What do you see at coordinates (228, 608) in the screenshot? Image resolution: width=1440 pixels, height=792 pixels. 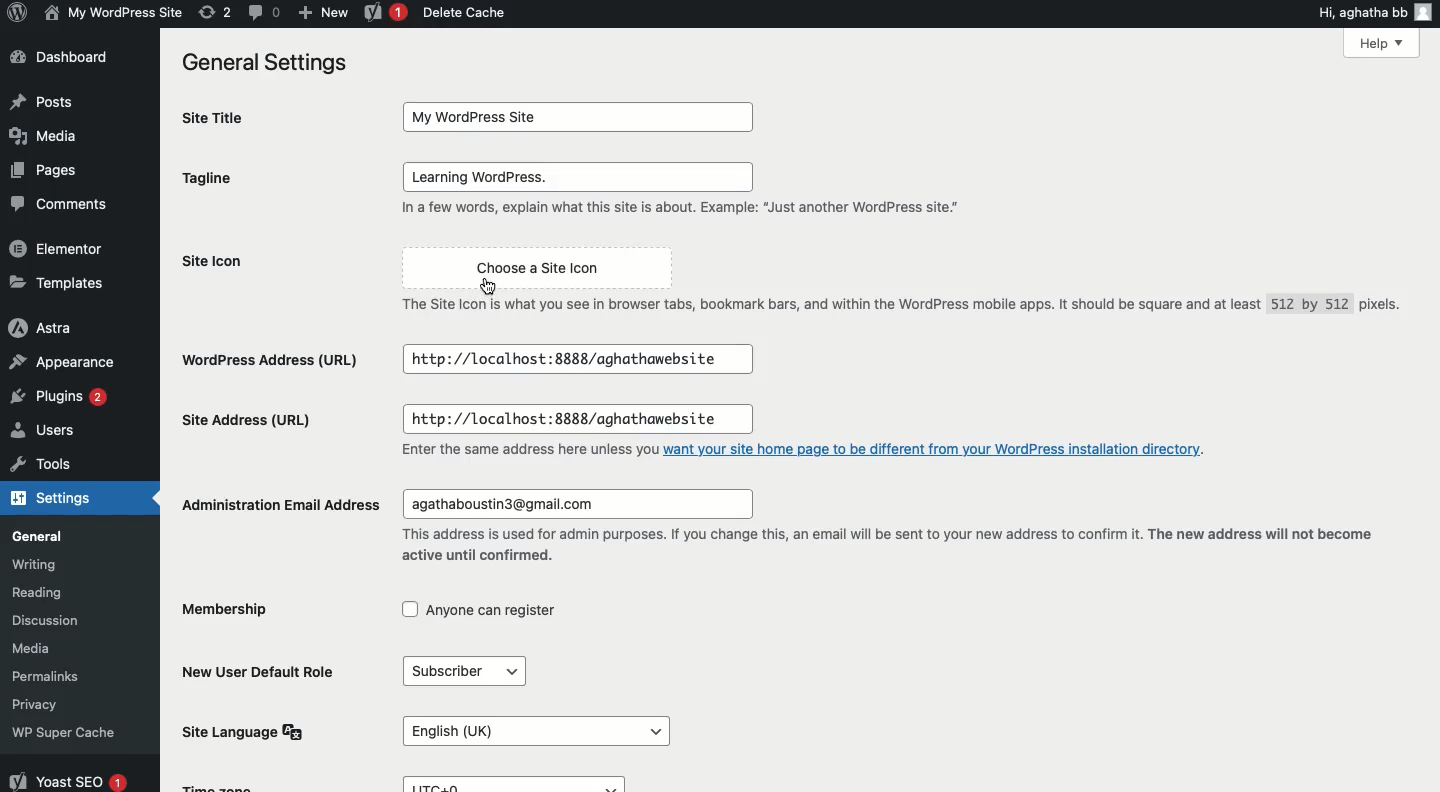 I see `Membership` at bounding box center [228, 608].